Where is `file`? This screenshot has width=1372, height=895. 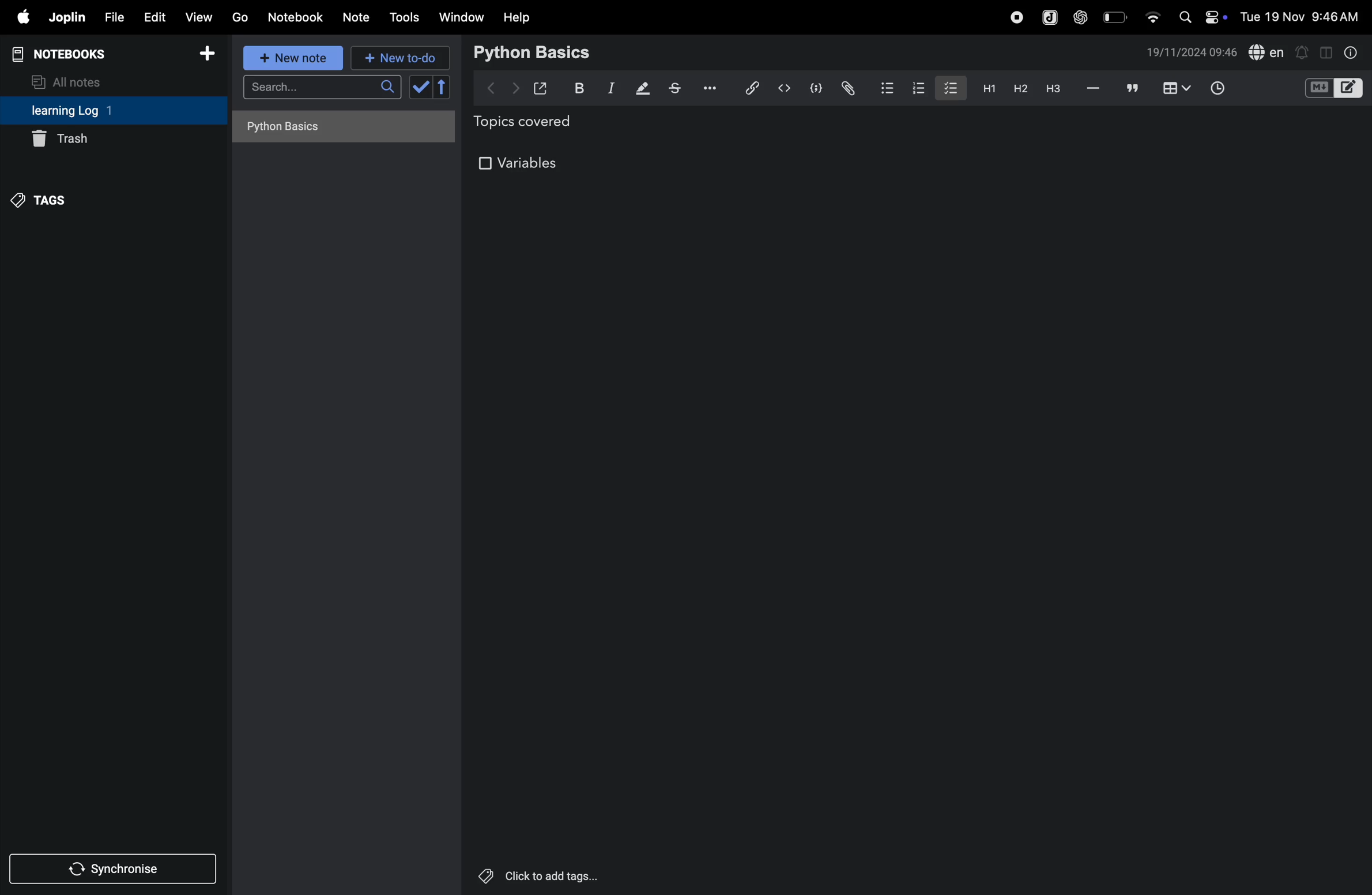 file is located at coordinates (112, 18).